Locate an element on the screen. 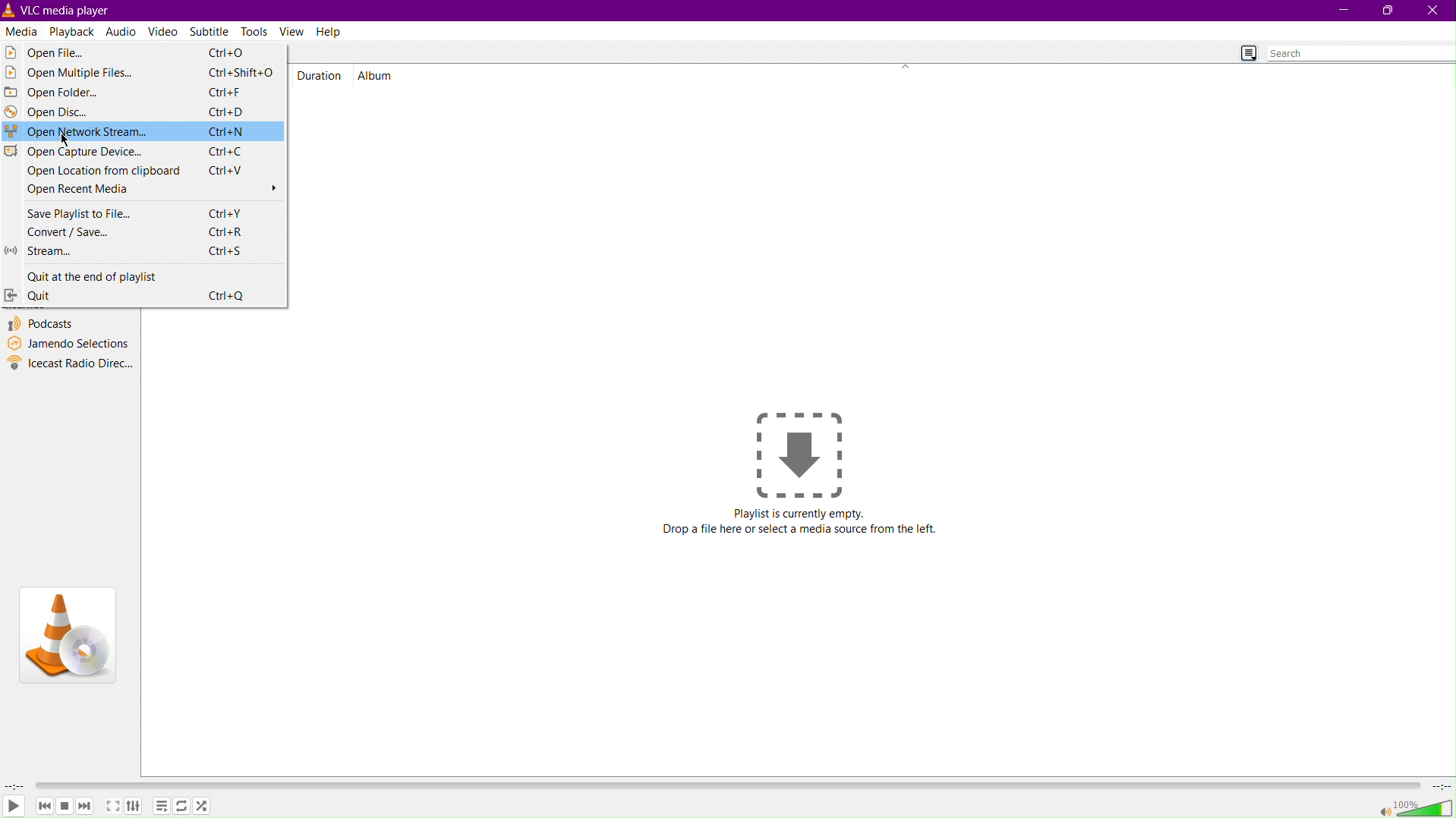 The width and height of the screenshot is (1456, 818). Media is located at coordinates (24, 30).